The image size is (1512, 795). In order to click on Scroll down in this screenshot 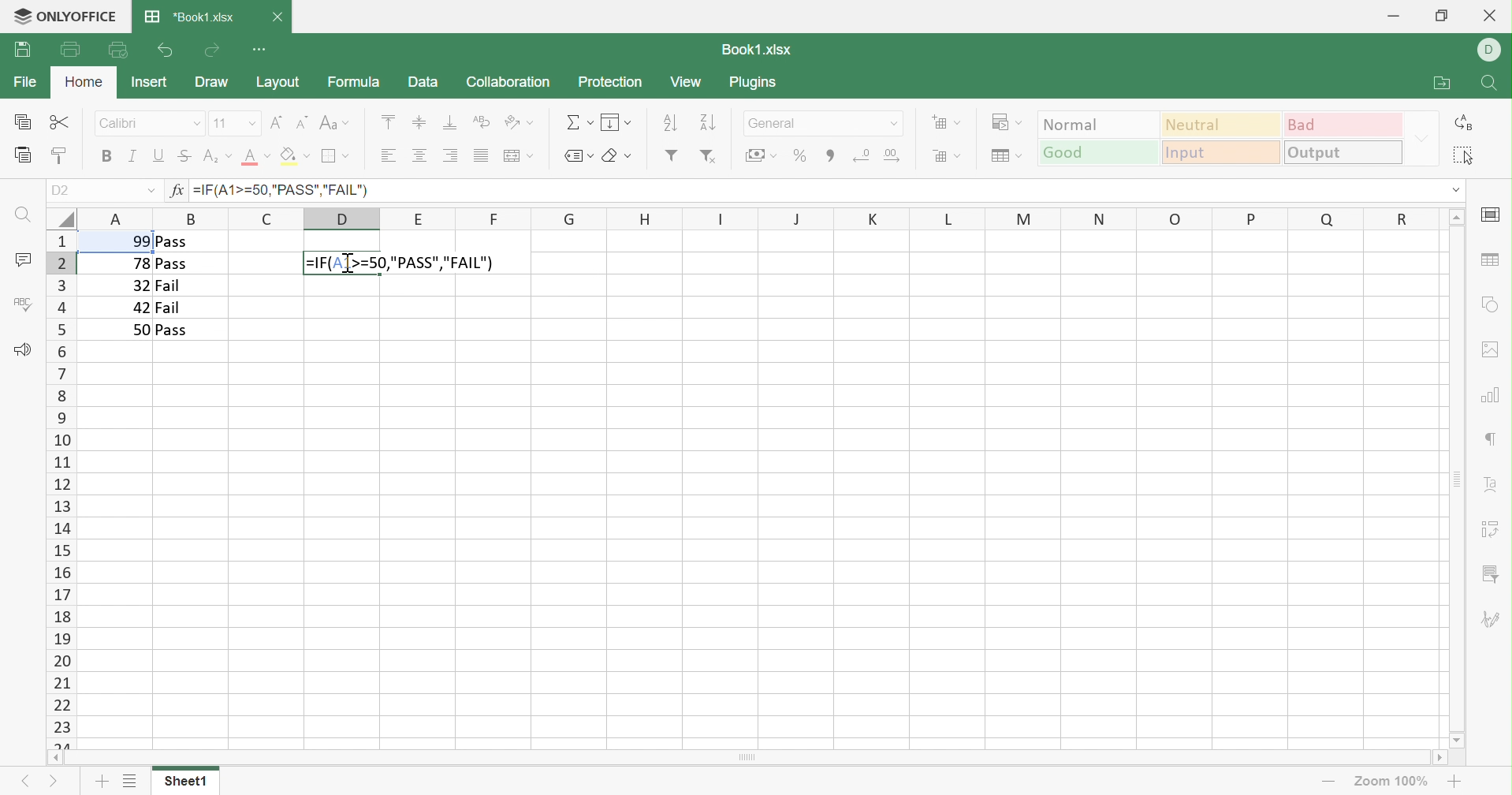, I will do `click(1458, 740)`.